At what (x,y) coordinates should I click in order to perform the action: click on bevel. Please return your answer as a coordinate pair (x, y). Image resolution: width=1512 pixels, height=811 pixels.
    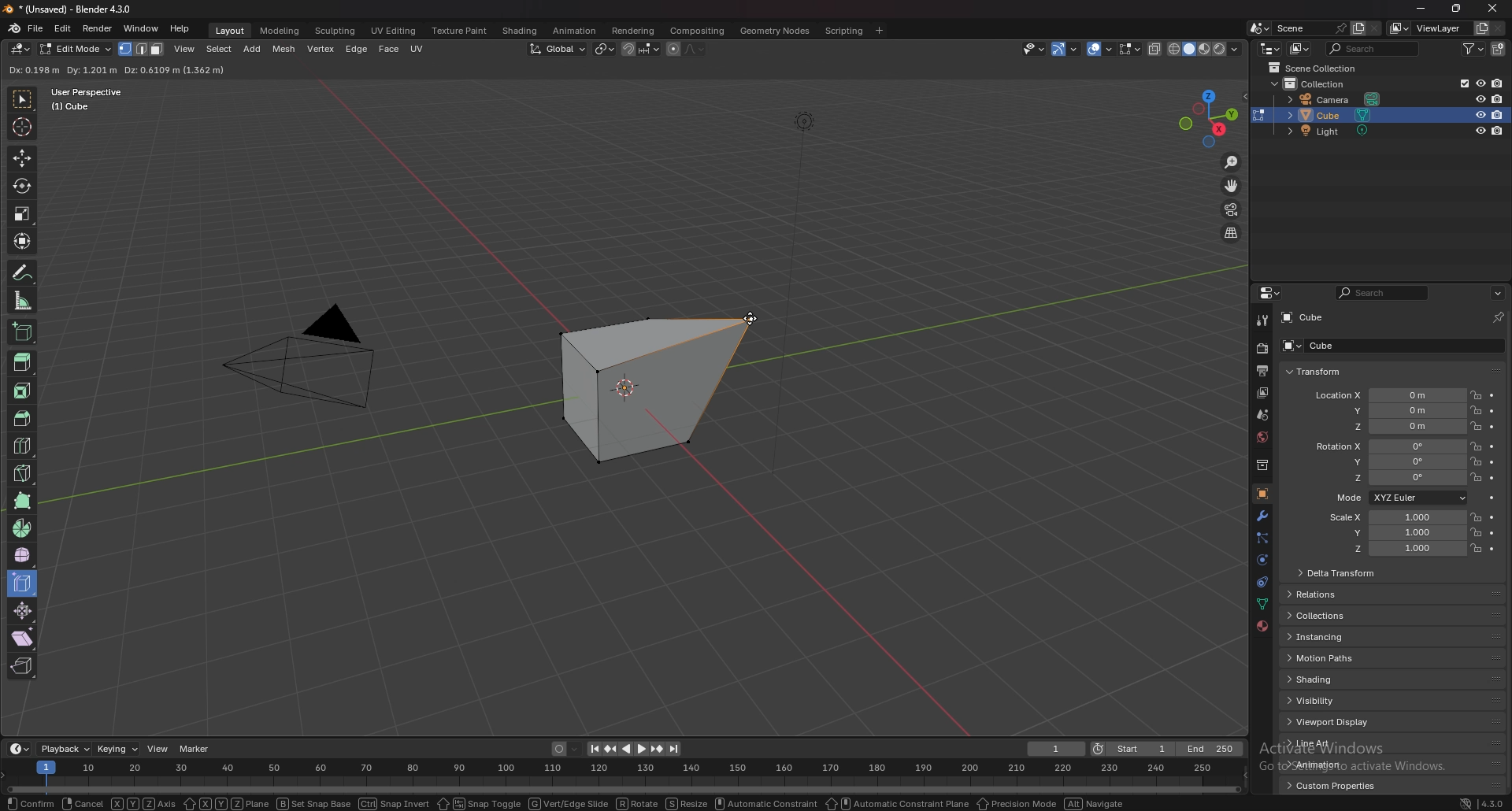
    Looking at the image, I should click on (20, 418).